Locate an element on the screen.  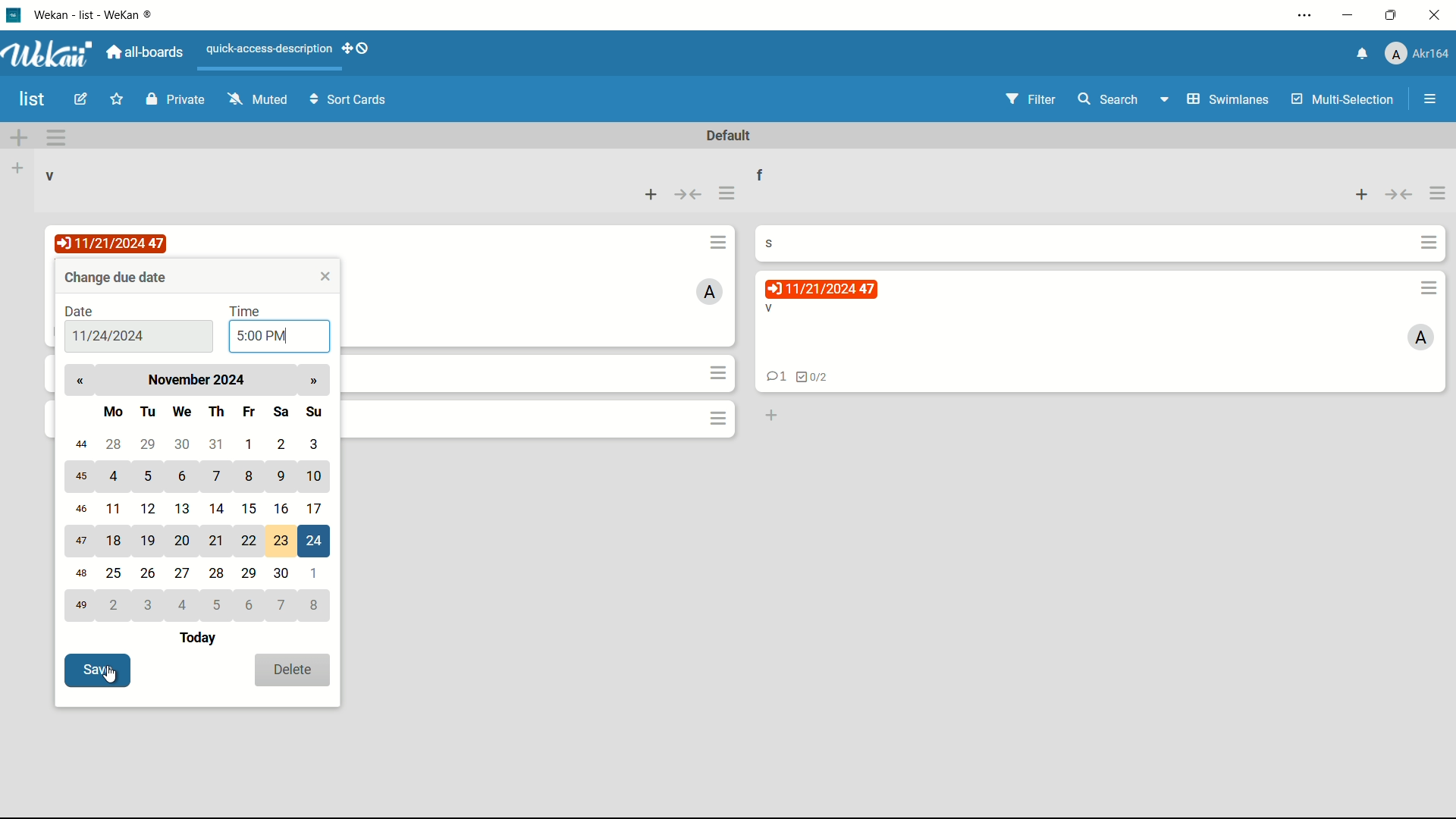
49 is located at coordinates (80, 606).